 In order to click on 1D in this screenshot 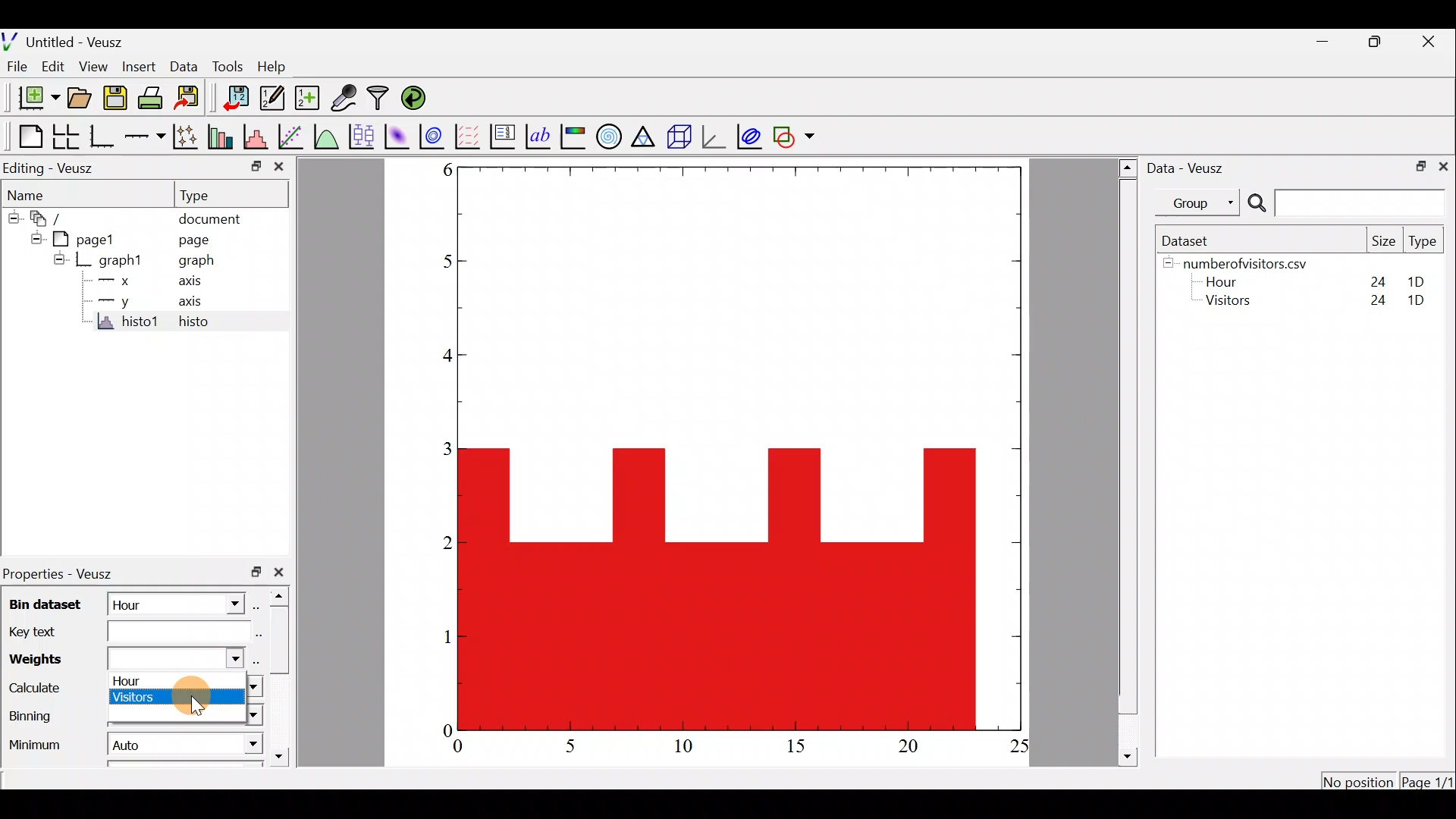, I will do `click(1410, 278)`.